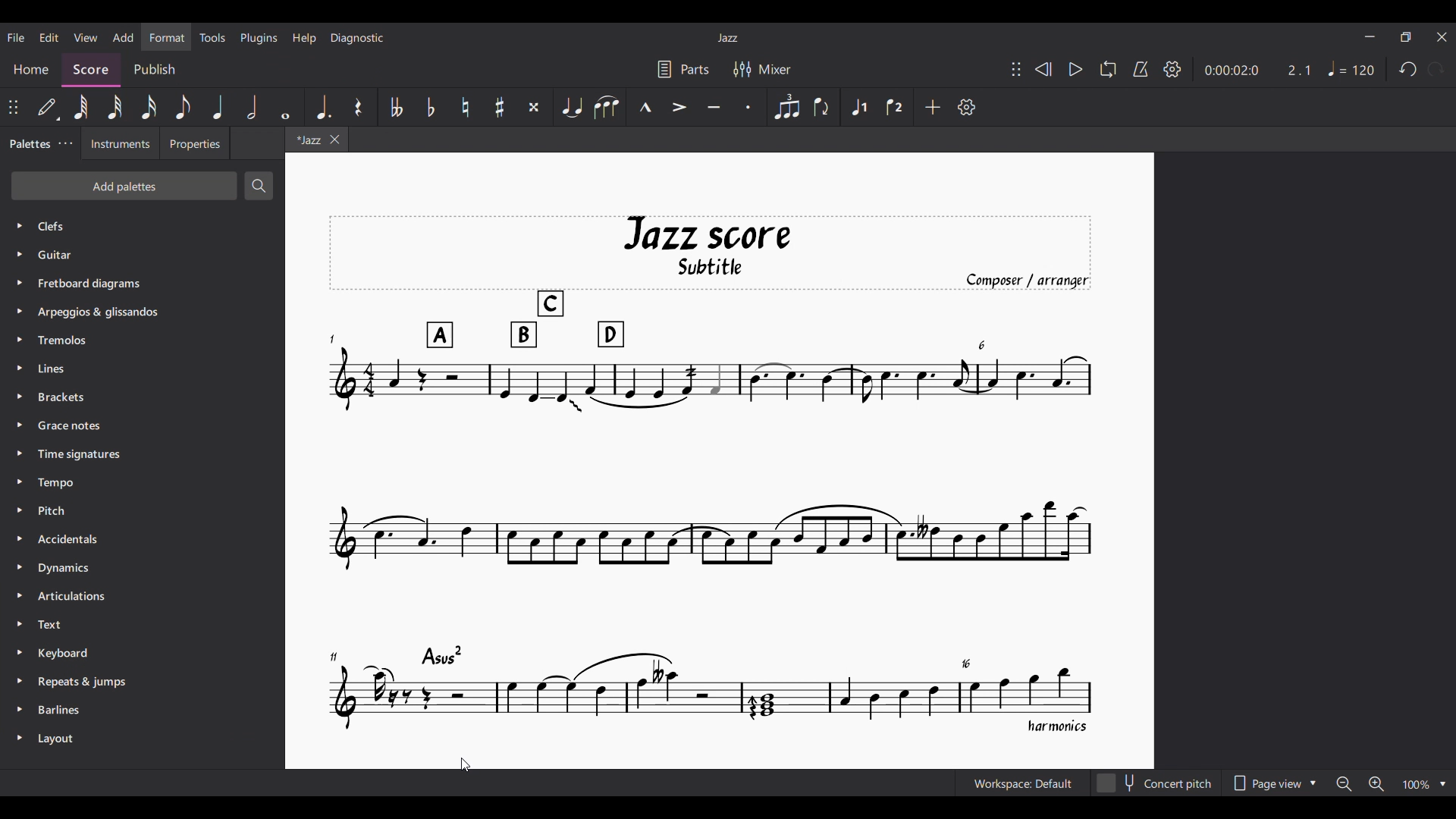 The image size is (1456, 819). I want to click on Barlines, so click(64, 711).